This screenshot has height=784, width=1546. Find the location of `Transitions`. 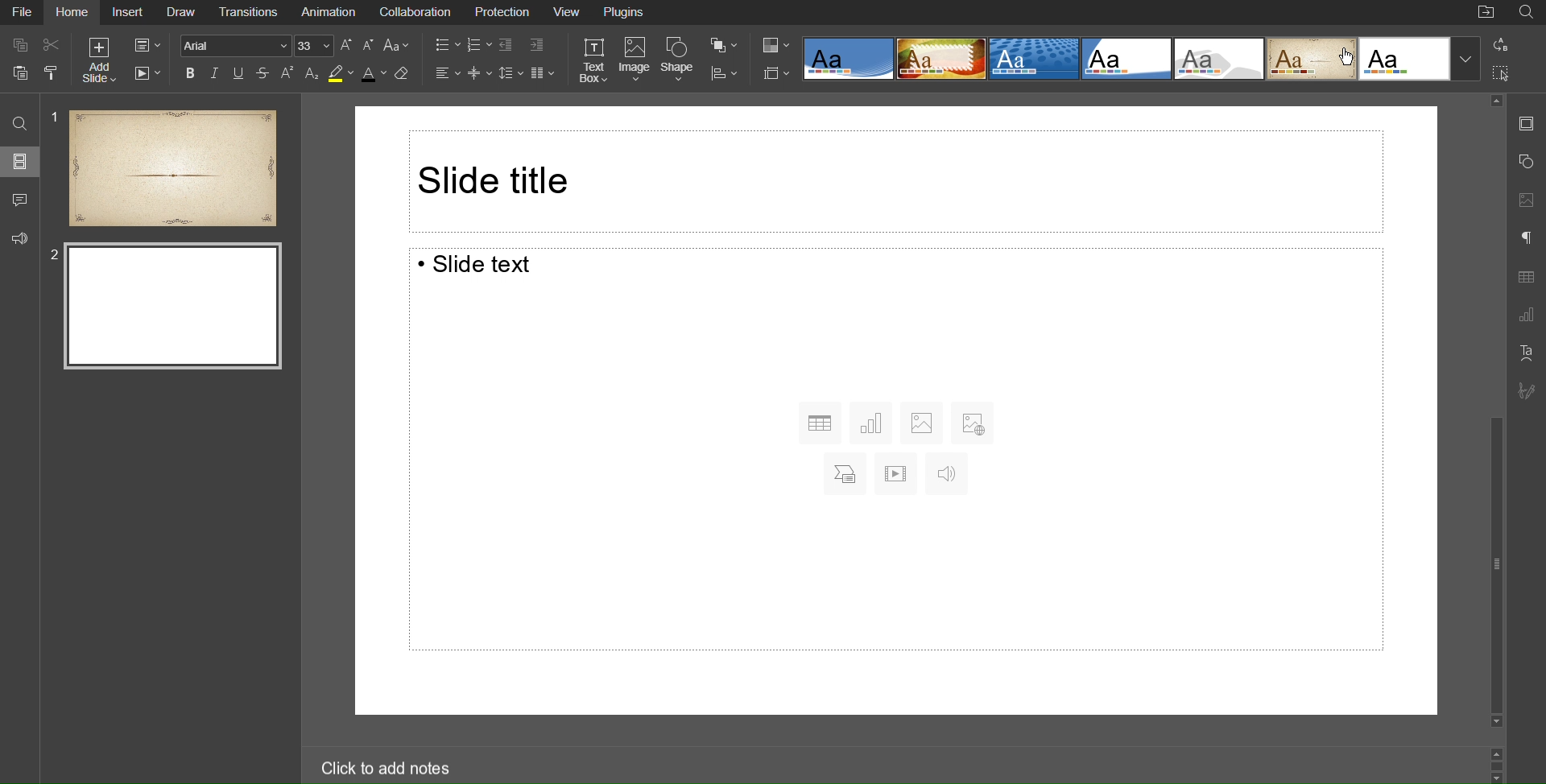

Transitions is located at coordinates (253, 13).